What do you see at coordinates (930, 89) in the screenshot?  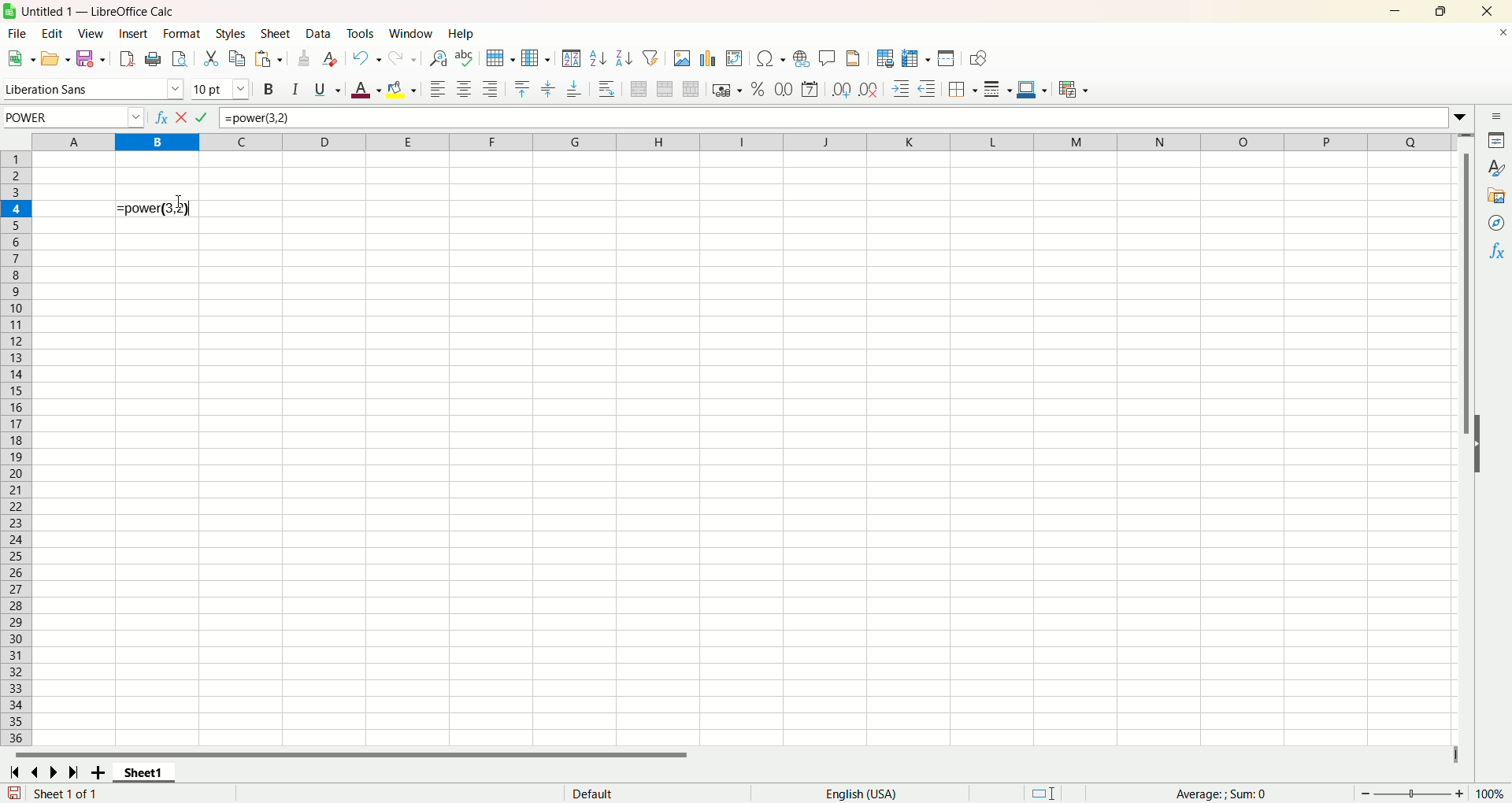 I see `decrease indent` at bounding box center [930, 89].